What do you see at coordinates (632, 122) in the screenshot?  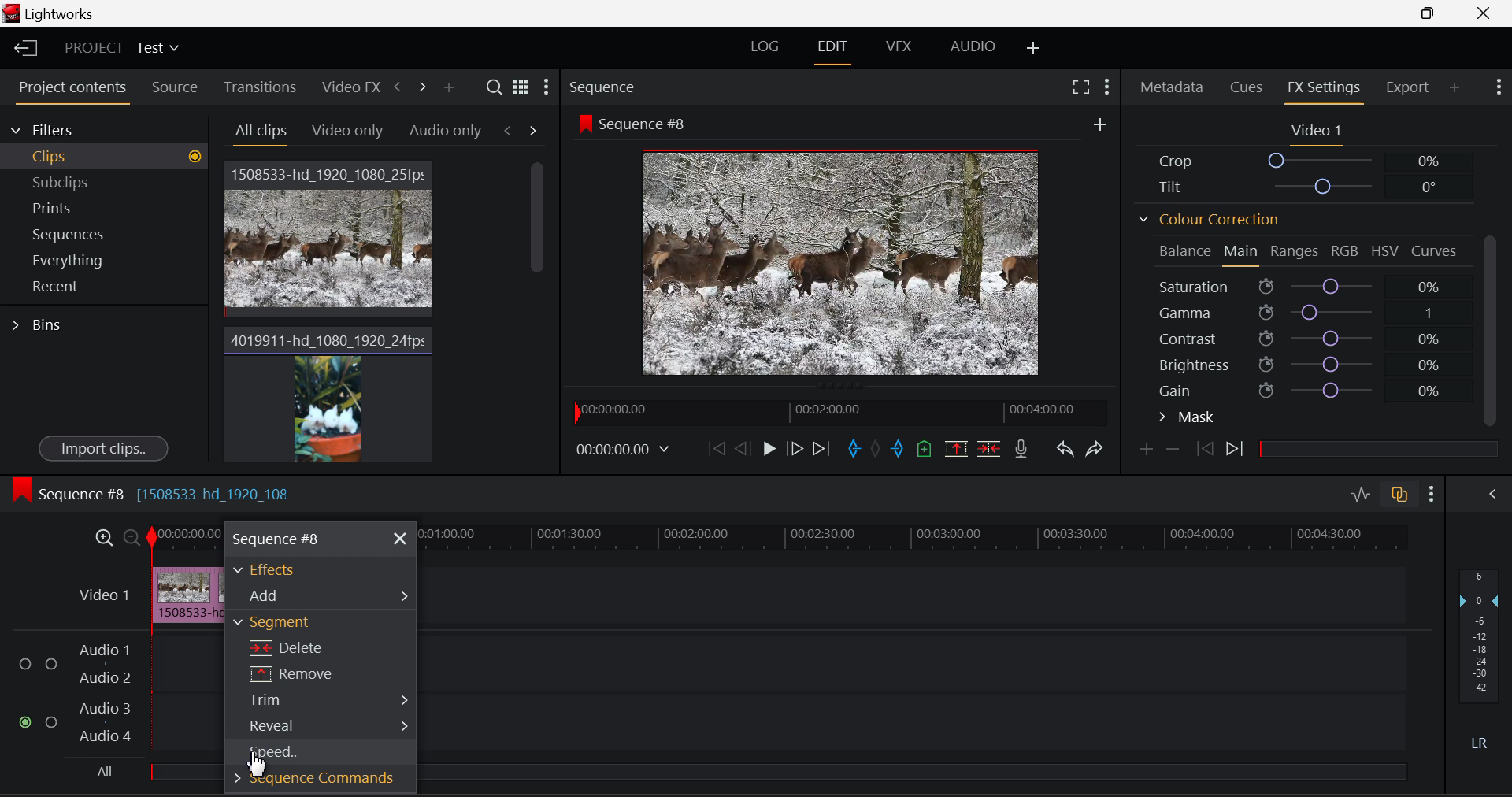 I see `Sequence #8` at bounding box center [632, 122].